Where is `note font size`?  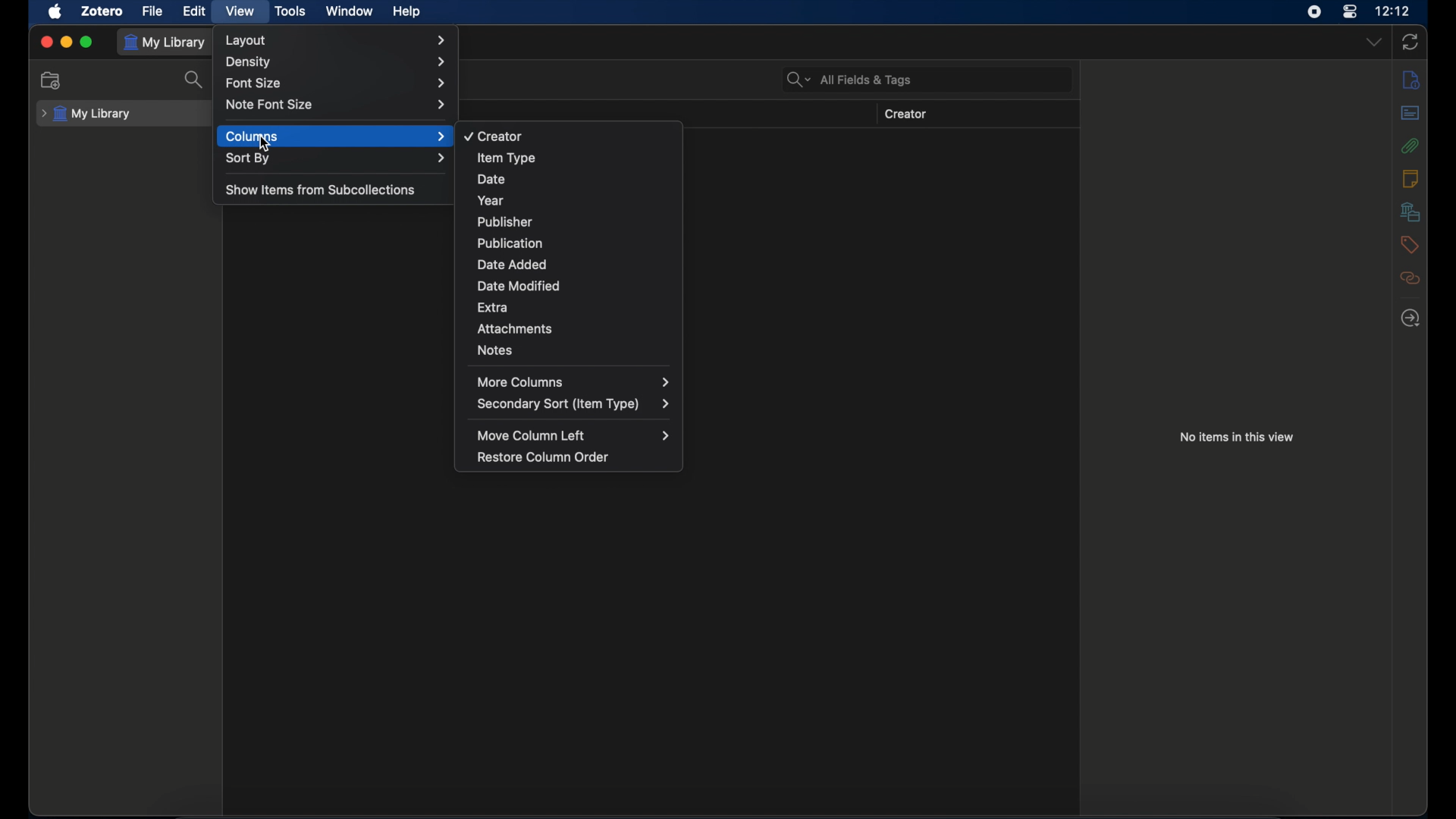 note font size is located at coordinates (336, 104).